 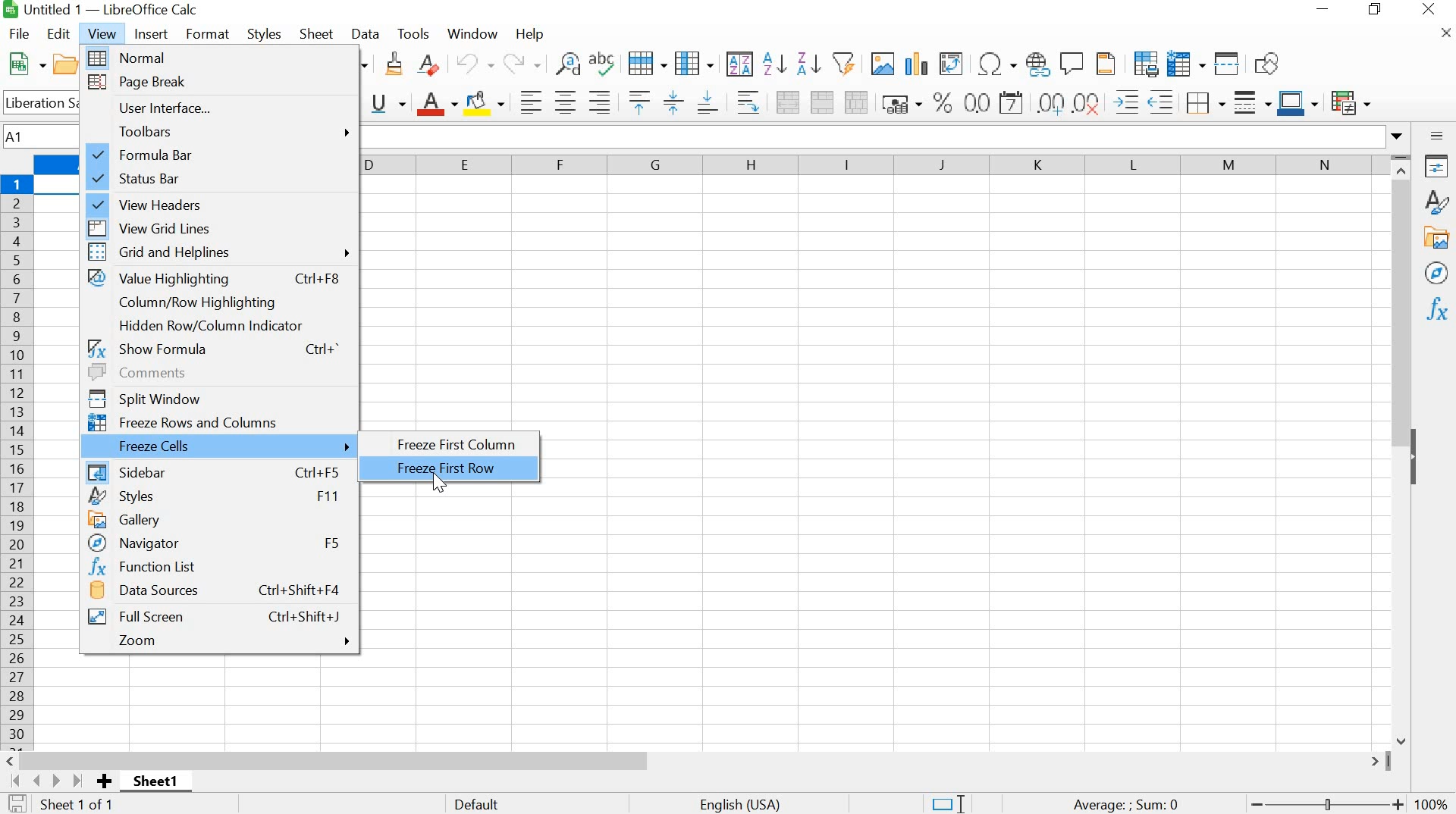 I want to click on FREEZE ROWS AND COLUMNS, so click(x=218, y=421).